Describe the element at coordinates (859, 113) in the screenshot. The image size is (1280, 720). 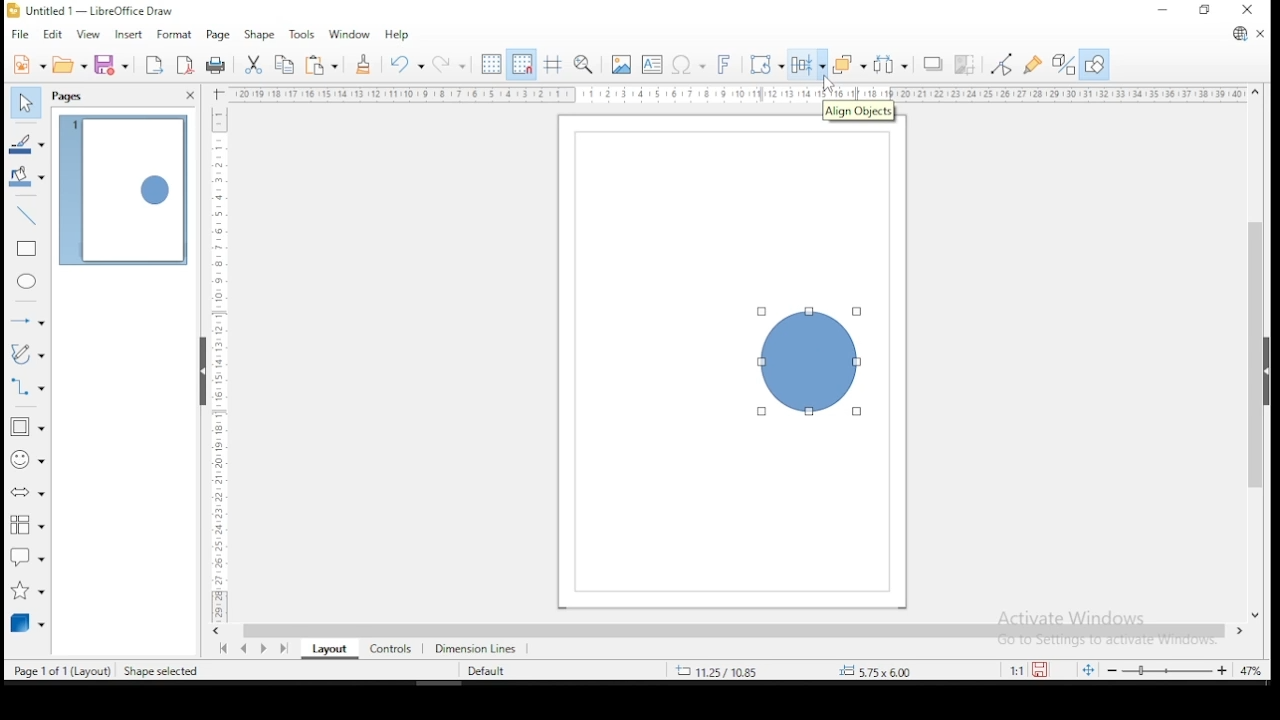
I see `align objects` at that location.